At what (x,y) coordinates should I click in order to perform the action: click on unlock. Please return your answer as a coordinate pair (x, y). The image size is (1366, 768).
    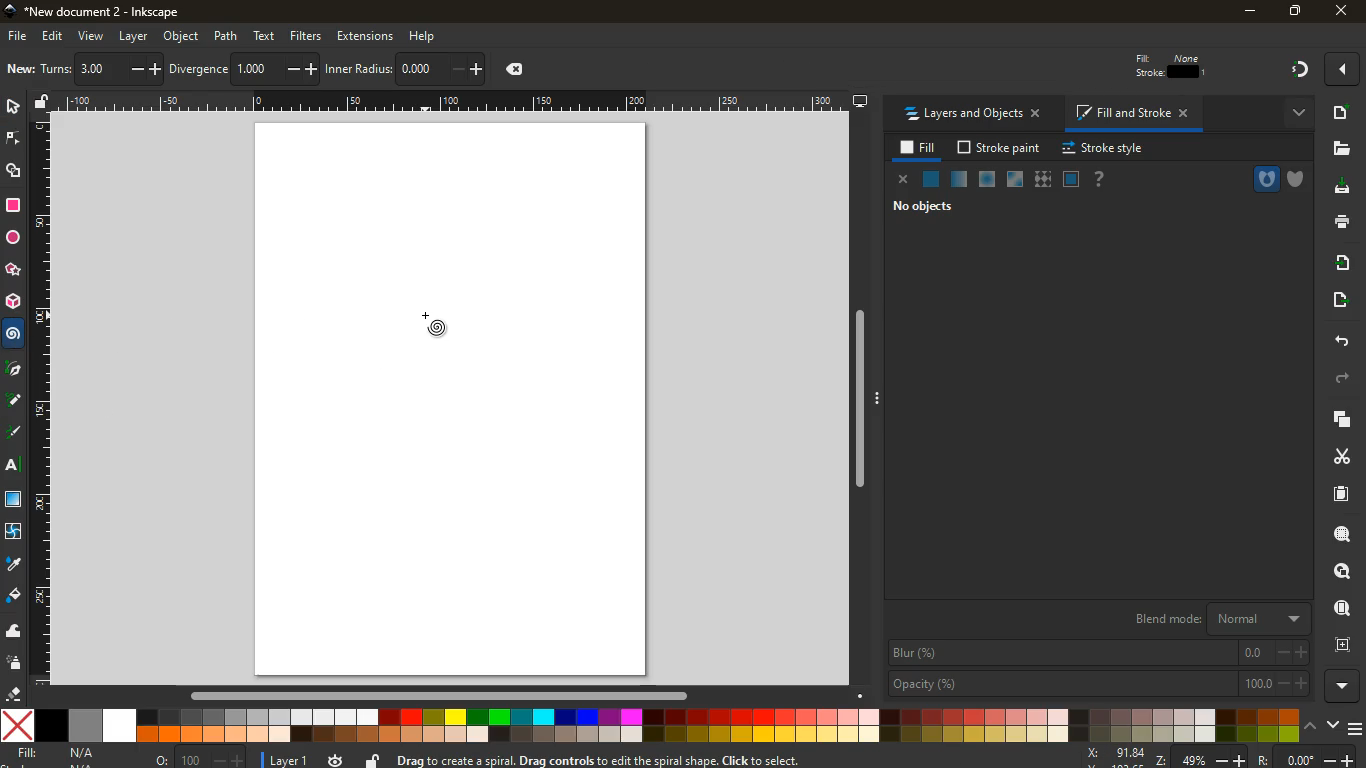
    Looking at the image, I should click on (372, 760).